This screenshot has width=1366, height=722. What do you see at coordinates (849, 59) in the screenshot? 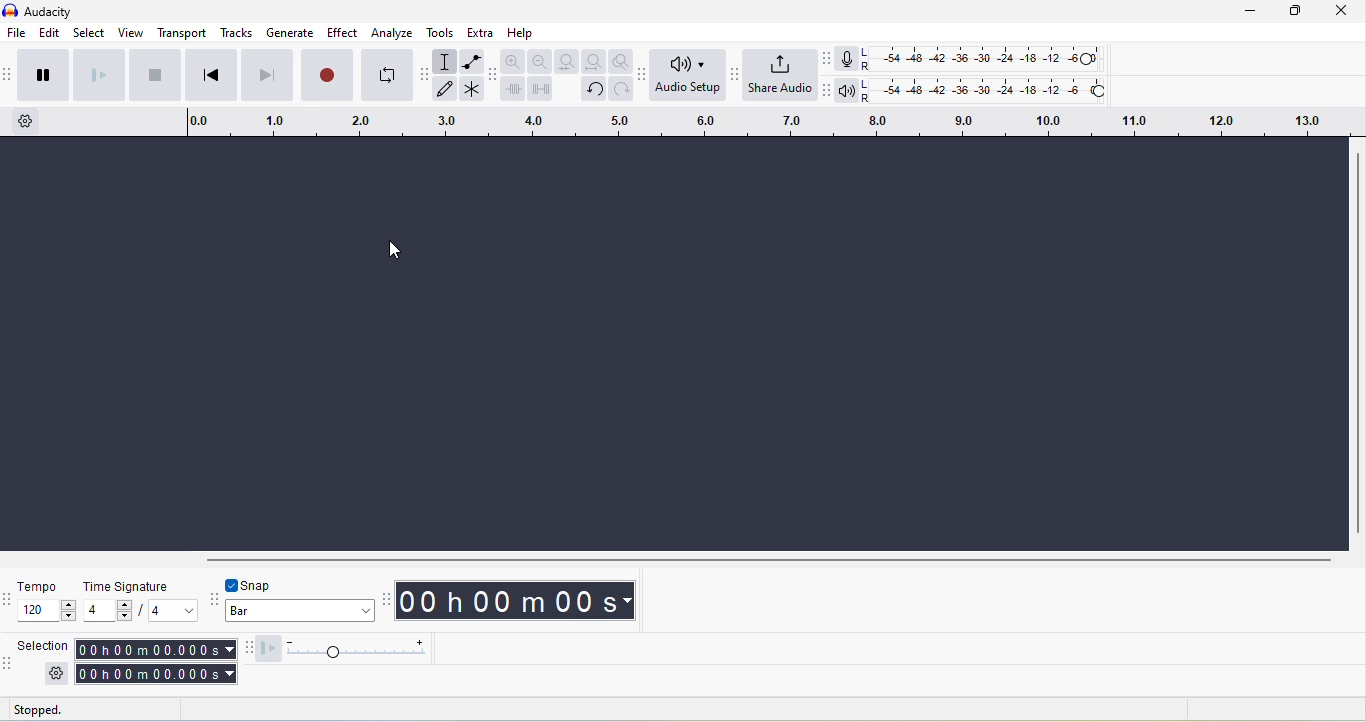
I see `record meter` at bounding box center [849, 59].